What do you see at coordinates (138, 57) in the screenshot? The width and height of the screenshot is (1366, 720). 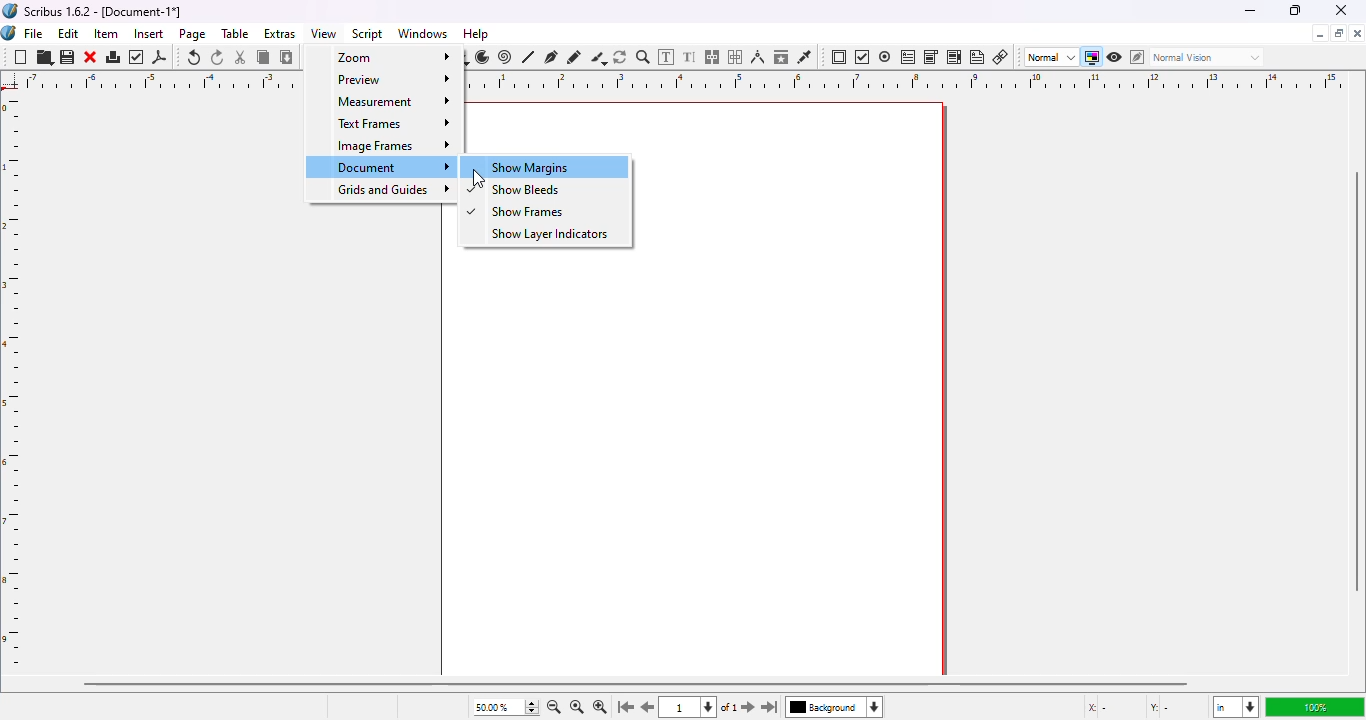 I see `preflight verifier` at bounding box center [138, 57].